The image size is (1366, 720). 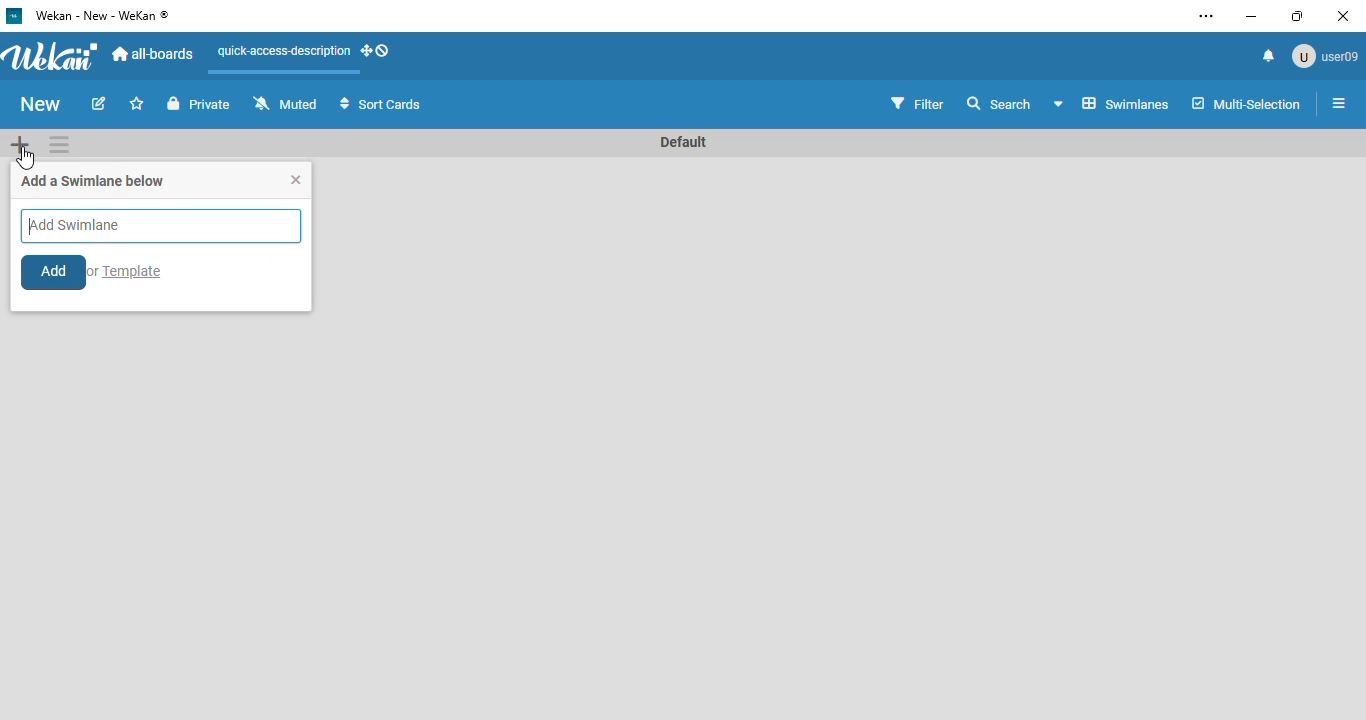 I want to click on board view, so click(x=1112, y=104).